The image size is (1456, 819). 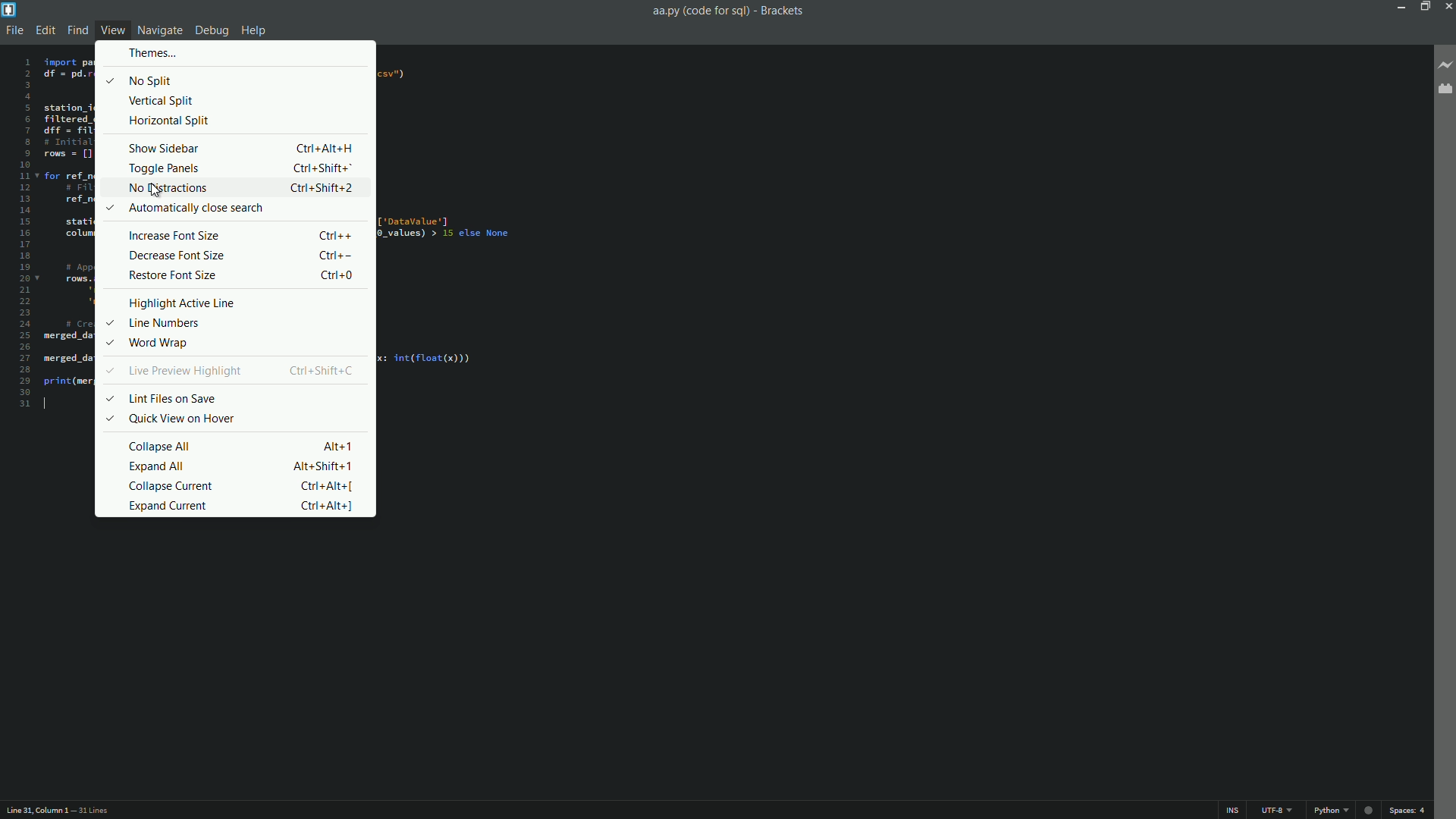 What do you see at coordinates (47, 405) in the screenshot?
I see `text cursor` at bounding box center [47, 405].